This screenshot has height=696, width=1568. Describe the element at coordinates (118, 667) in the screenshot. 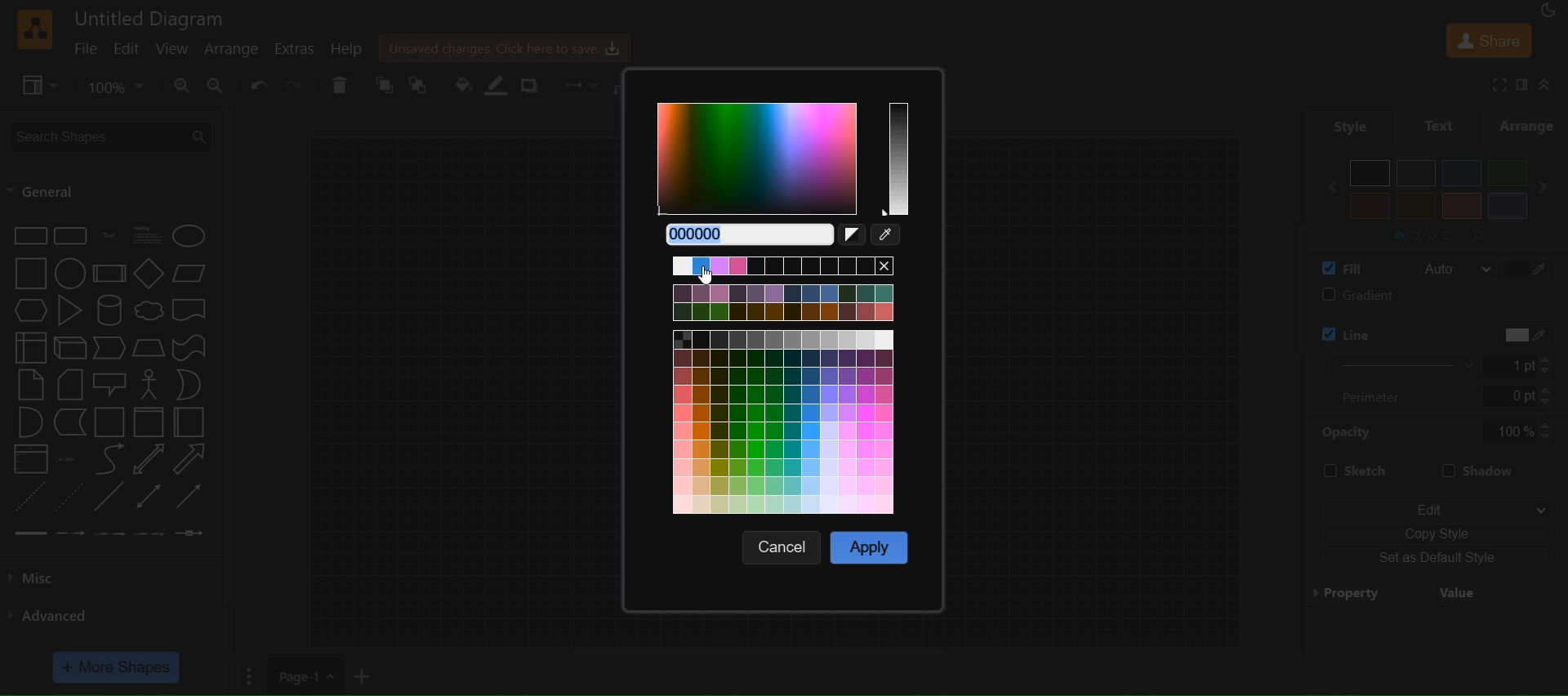

I see `more shapes` at that location.